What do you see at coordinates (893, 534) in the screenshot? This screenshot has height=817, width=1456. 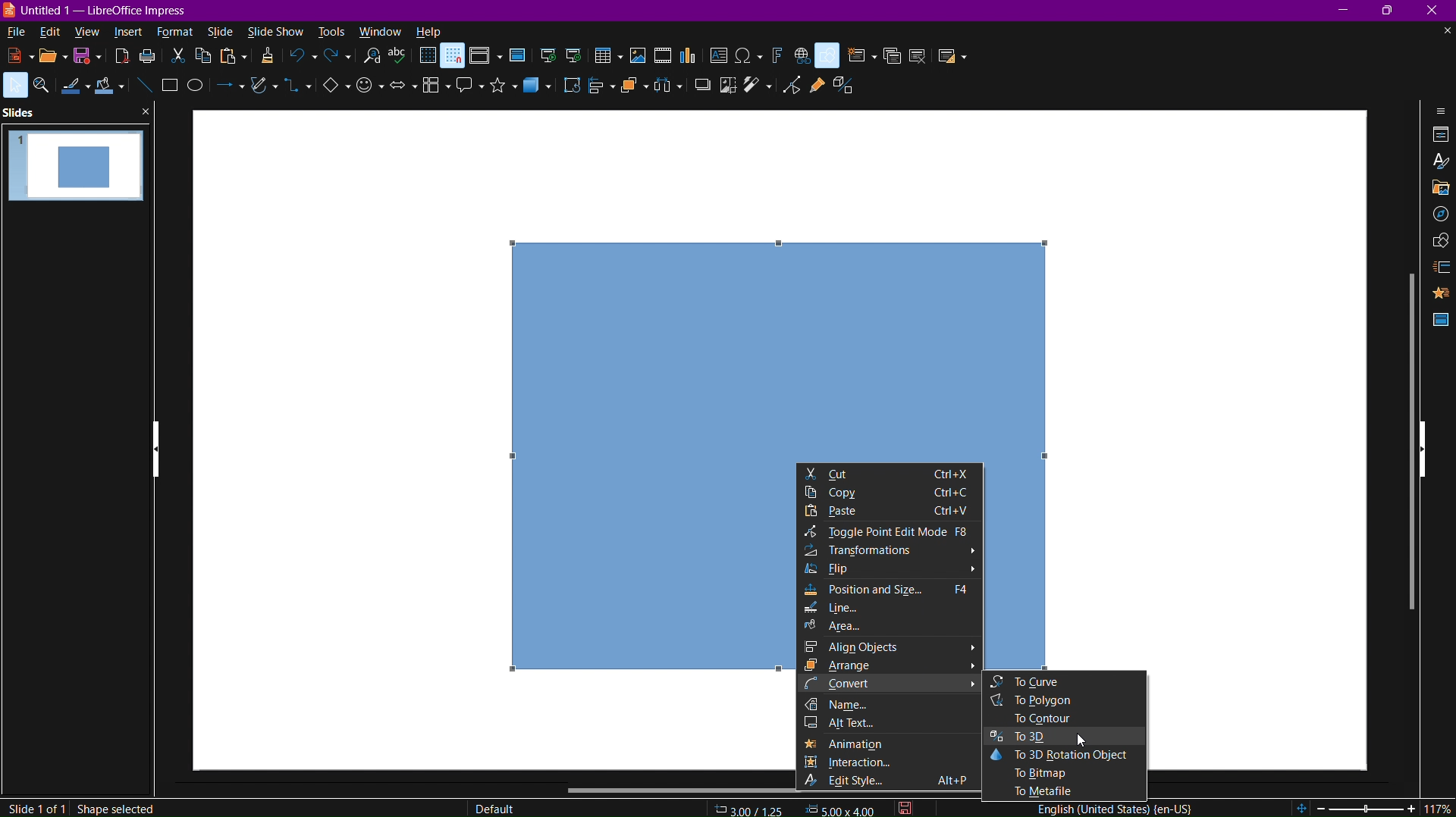 I see `Toggle Point Edit Mode` at bounding box center [893, 534].